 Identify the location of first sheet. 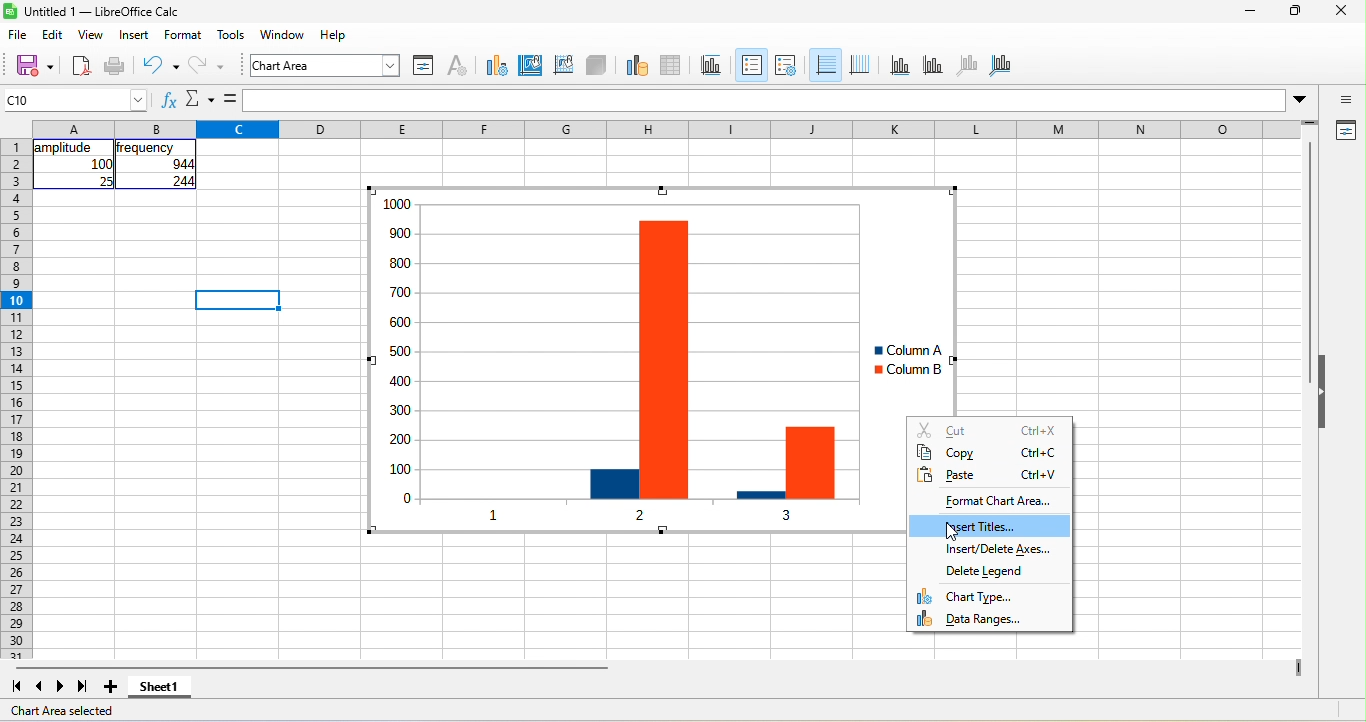
(16, 687).